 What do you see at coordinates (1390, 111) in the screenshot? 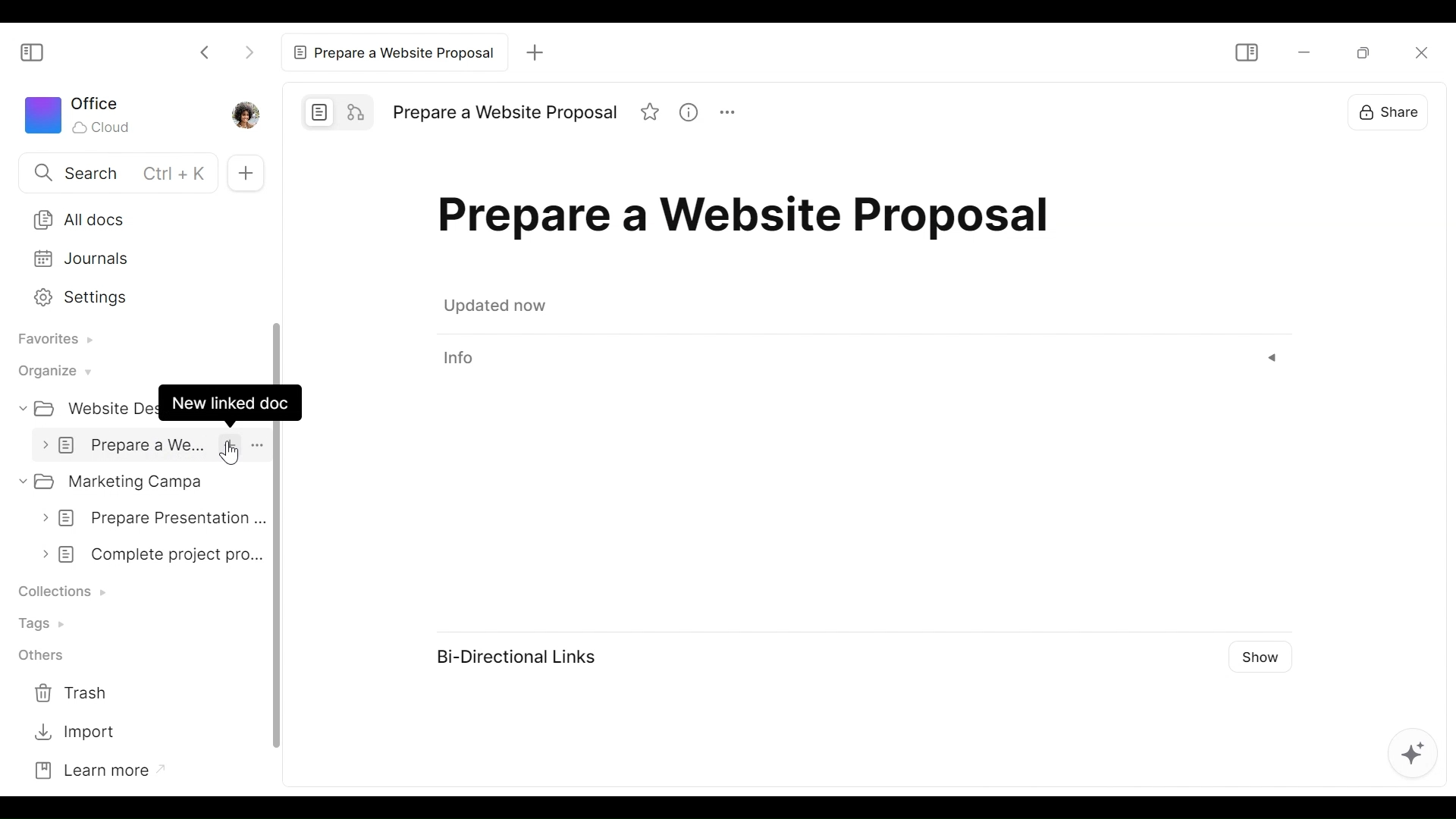
I see `Share` at bounding box center [1390, 111].